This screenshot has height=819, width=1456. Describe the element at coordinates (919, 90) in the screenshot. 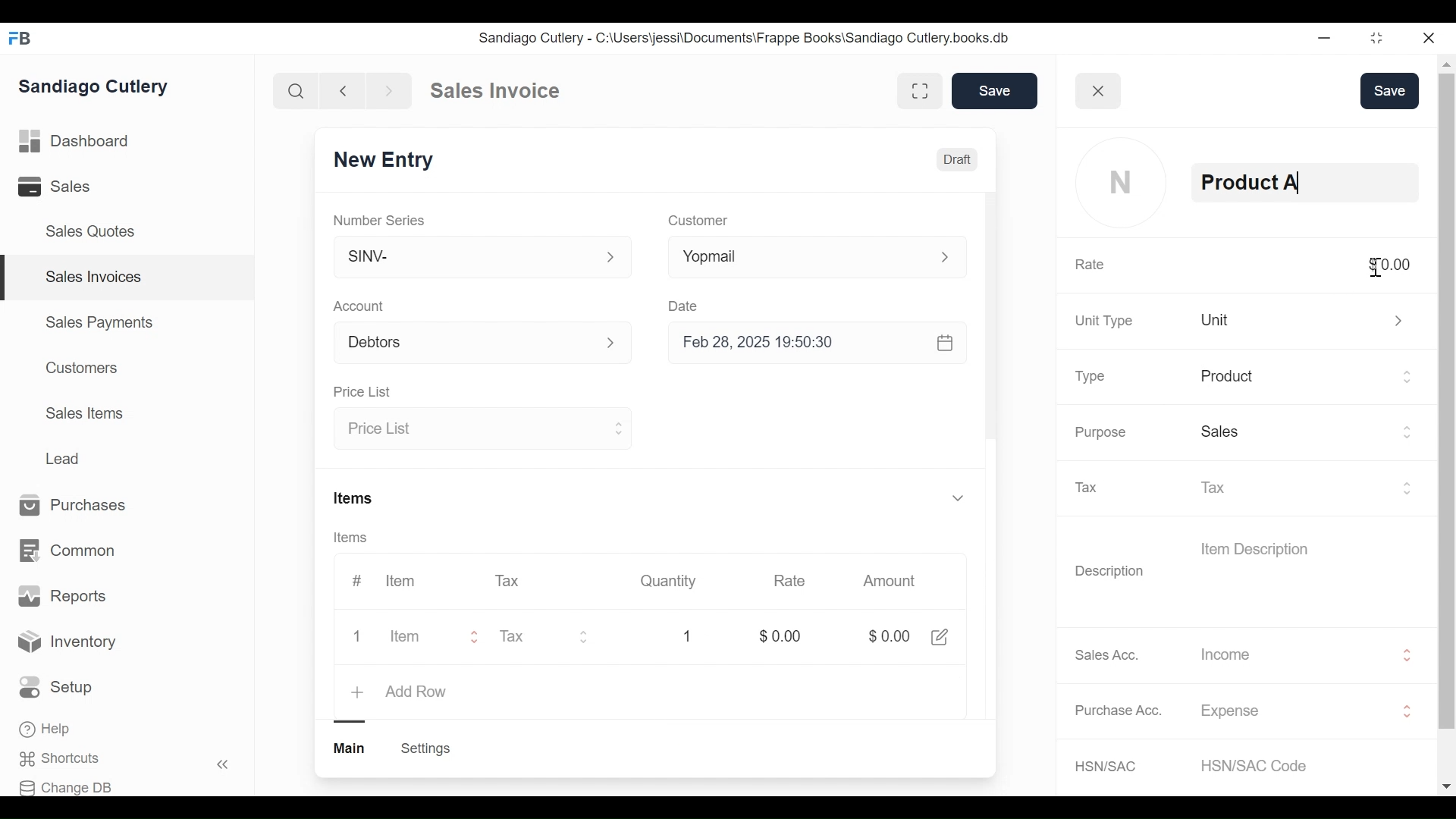

I see `fullscreen` at that location.